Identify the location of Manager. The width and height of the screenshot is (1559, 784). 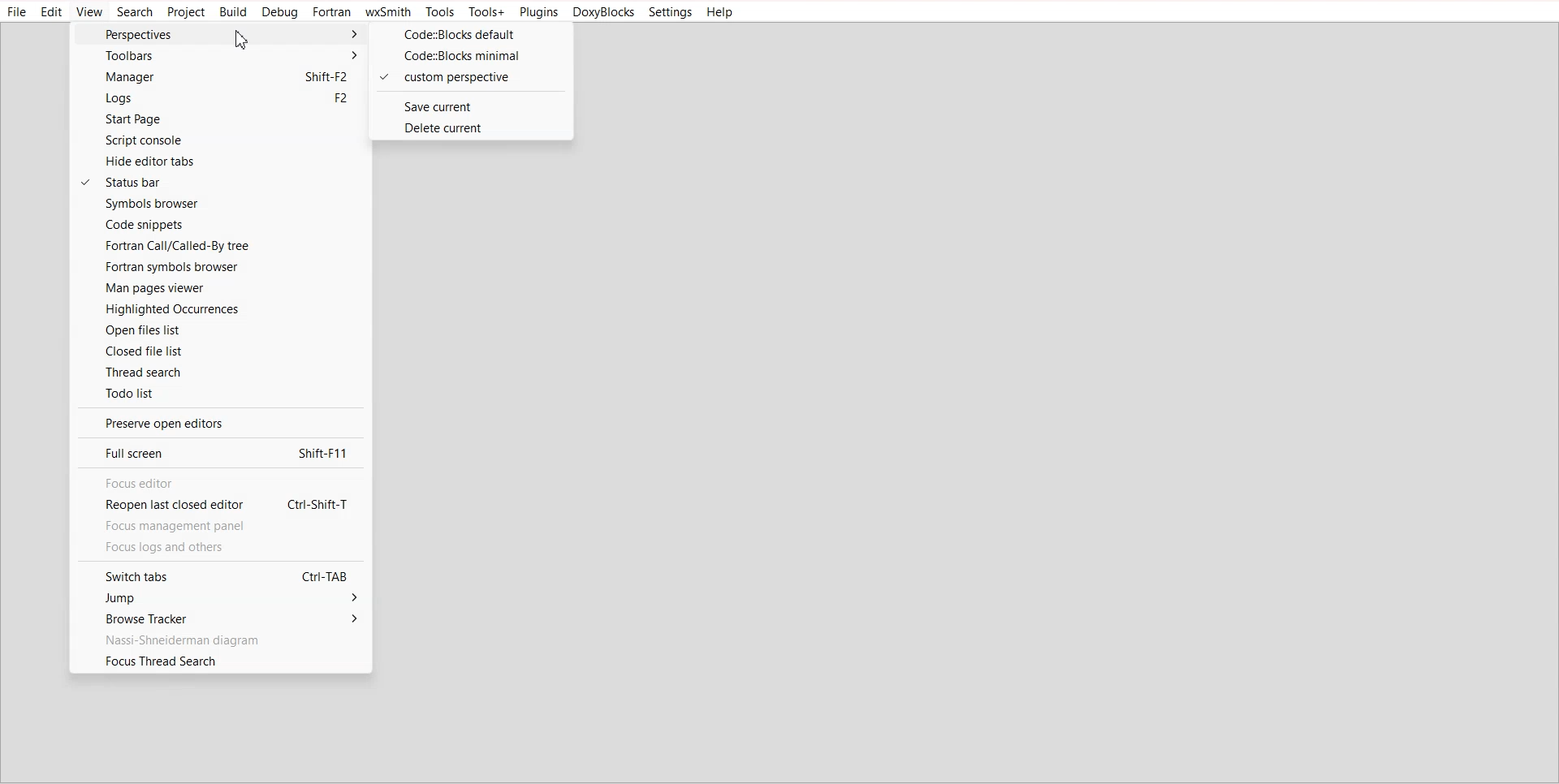
(216, 77).